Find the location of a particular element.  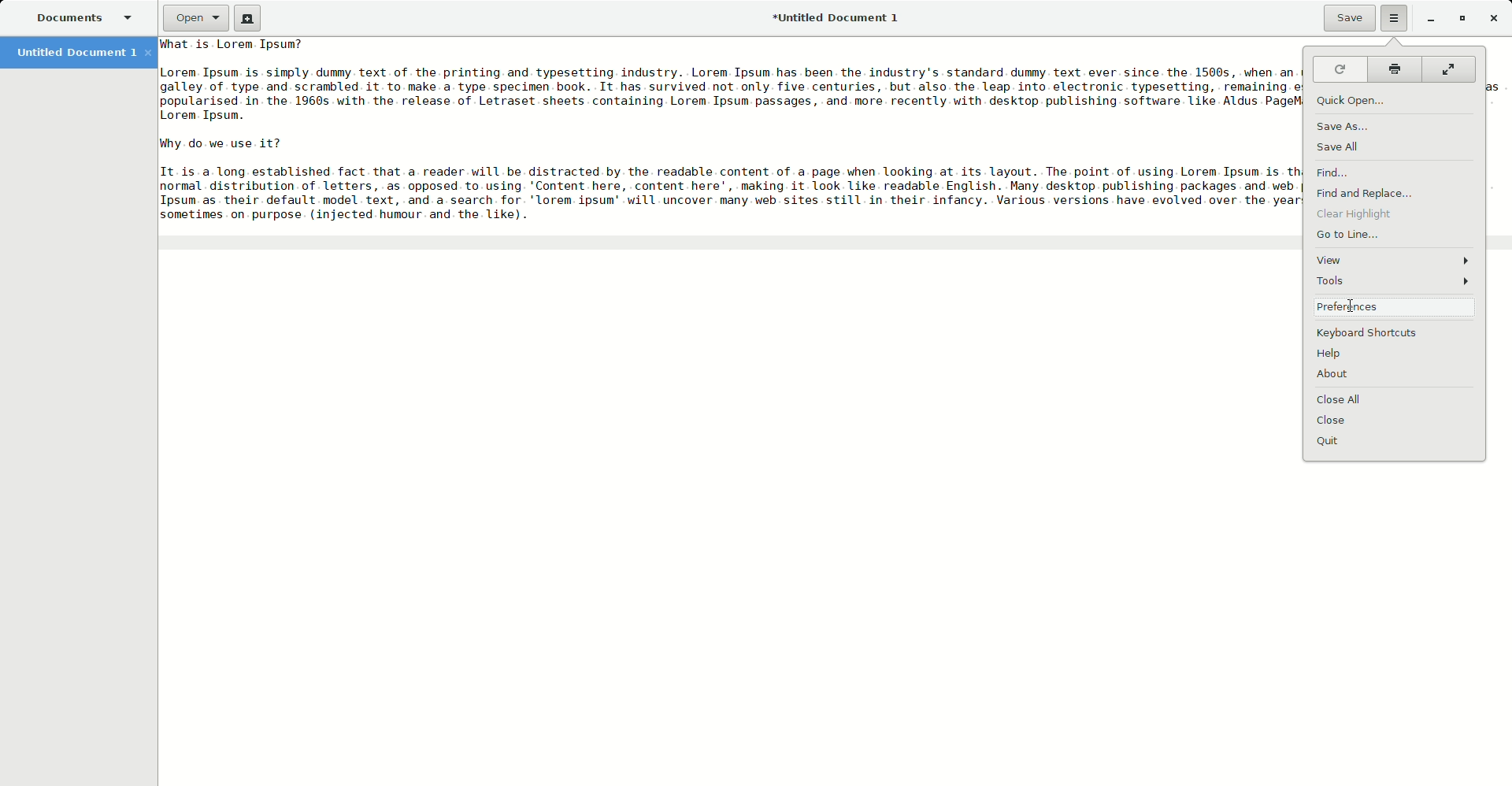

Preferences is located at coordinates (1396, 307).